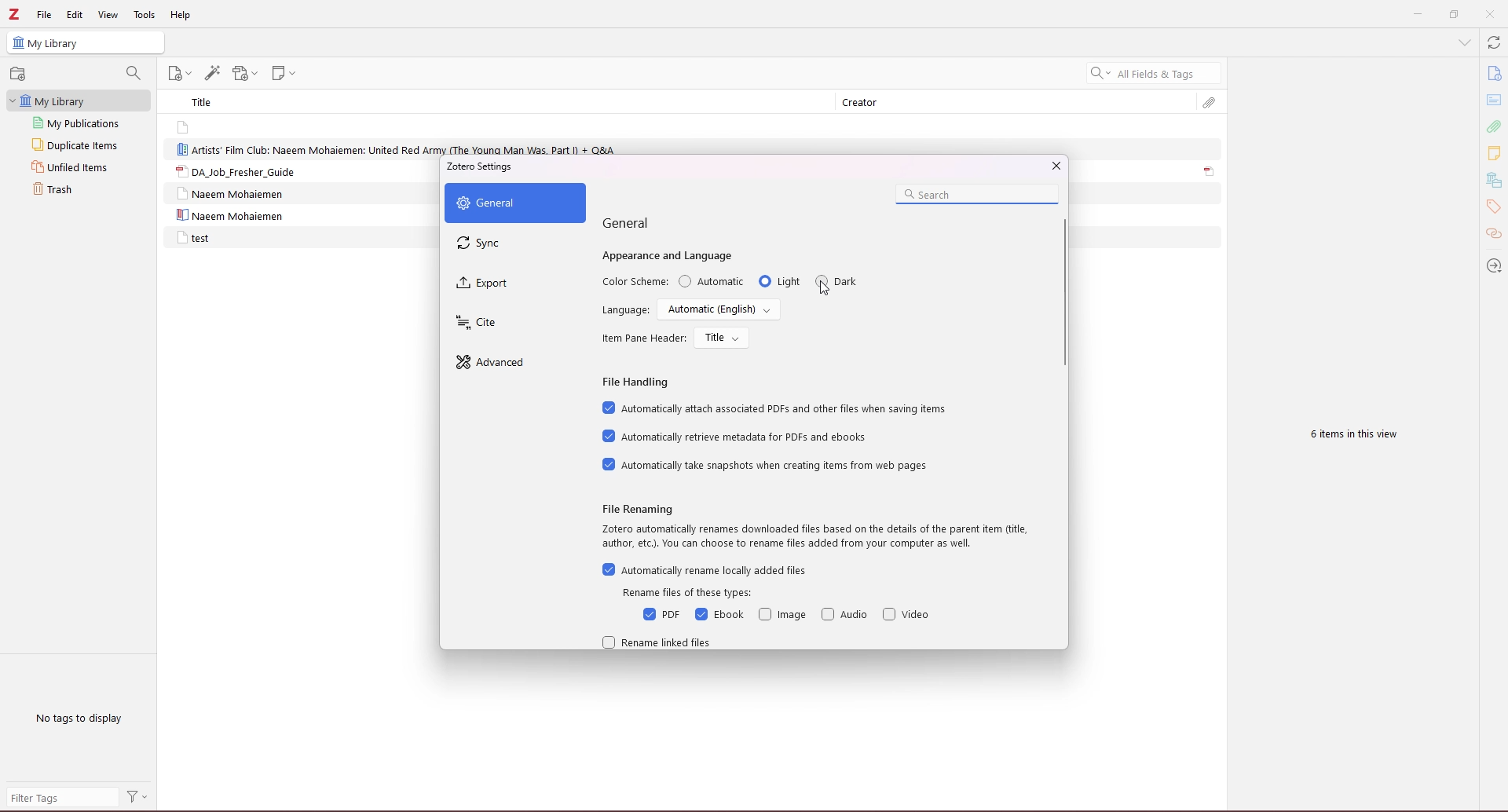  I want to click on tools, so click(145, 16).